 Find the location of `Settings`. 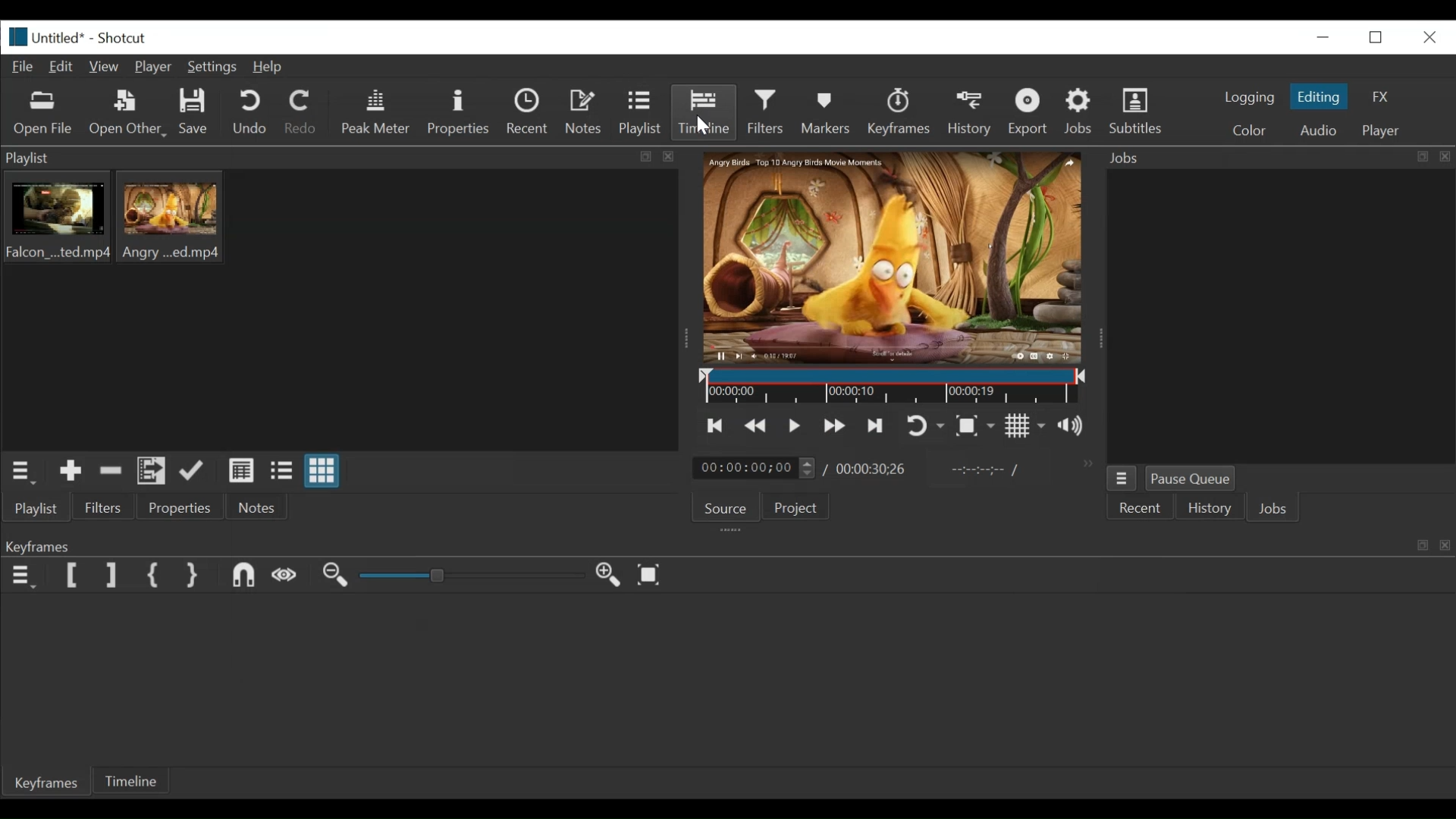

Settings is located at coordinates (215, 69).